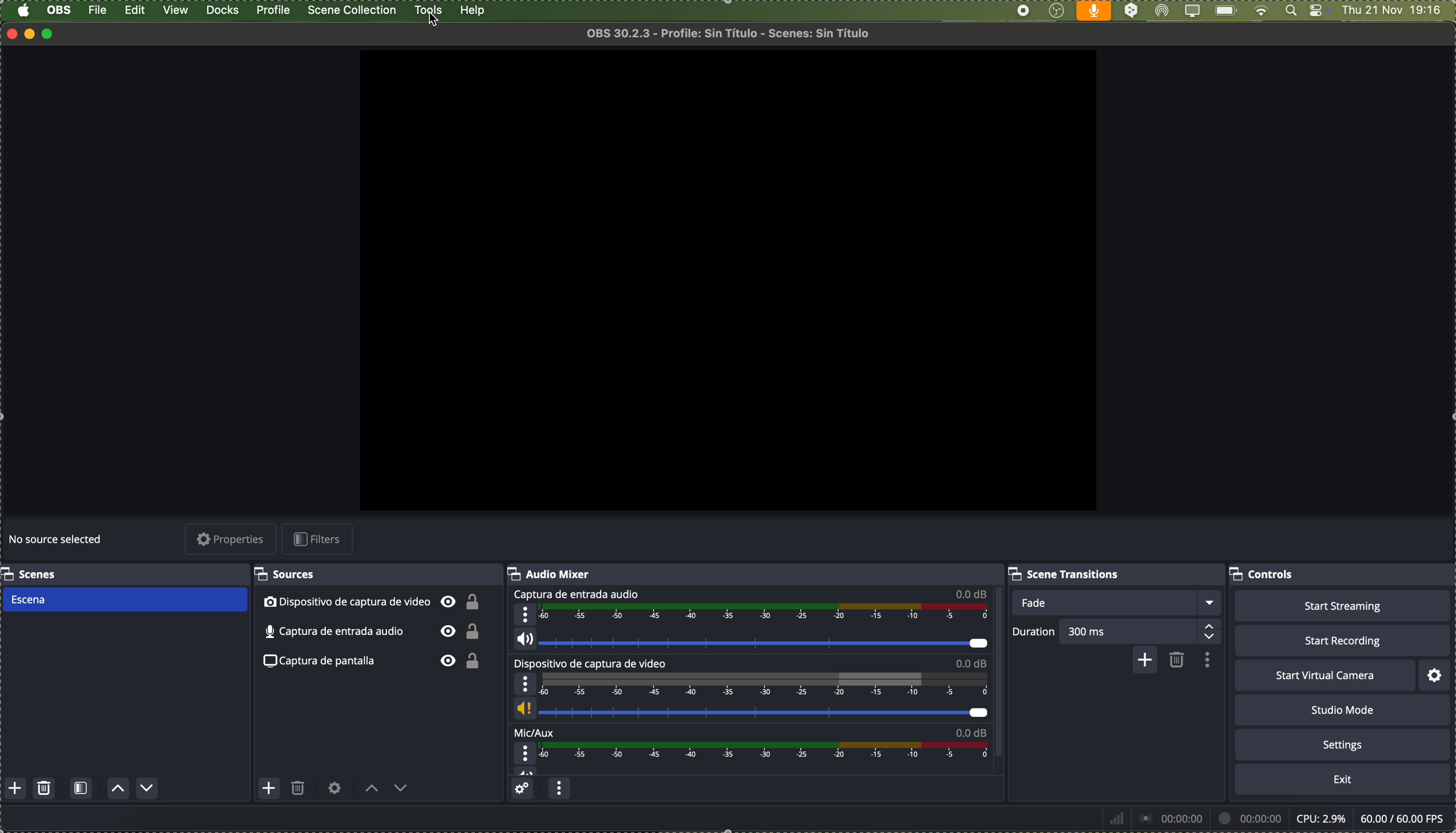  What do you see at coordinates (1261, 11) in the screenshot?
I see `wifi` at bounding box center [1261, 11].